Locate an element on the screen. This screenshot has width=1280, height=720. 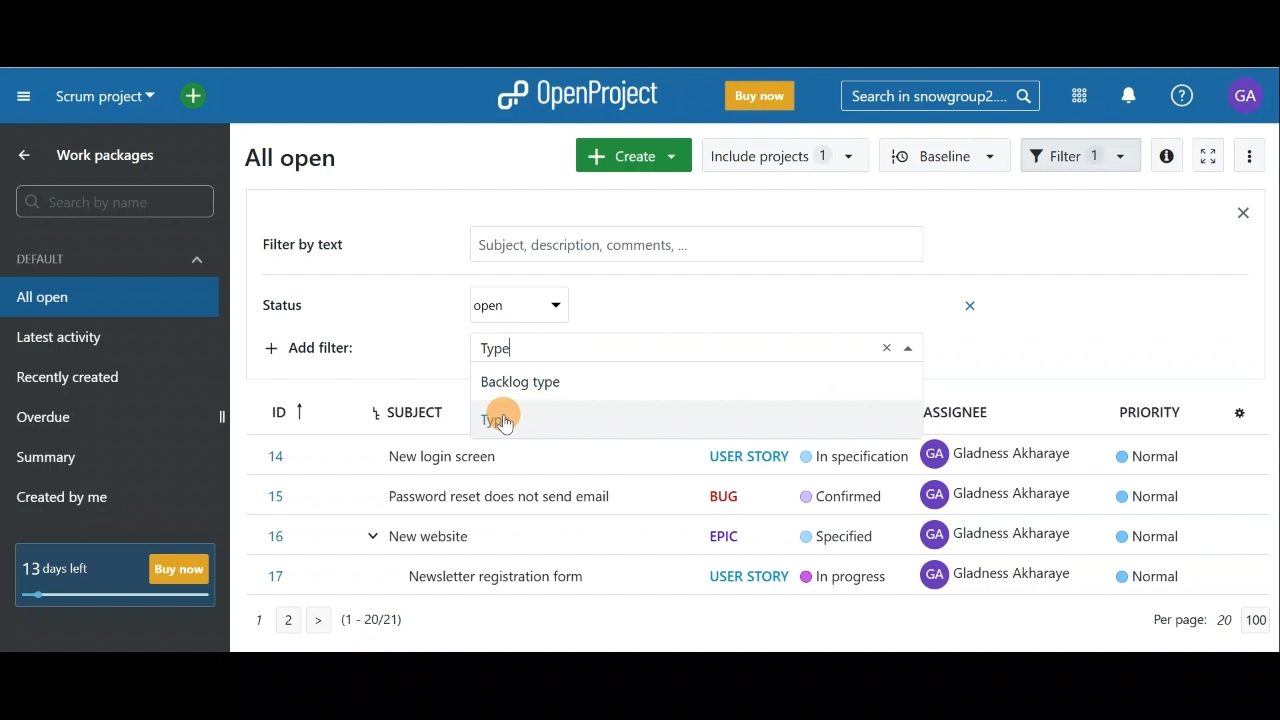
Created by me is located at coordinates (74, 500).